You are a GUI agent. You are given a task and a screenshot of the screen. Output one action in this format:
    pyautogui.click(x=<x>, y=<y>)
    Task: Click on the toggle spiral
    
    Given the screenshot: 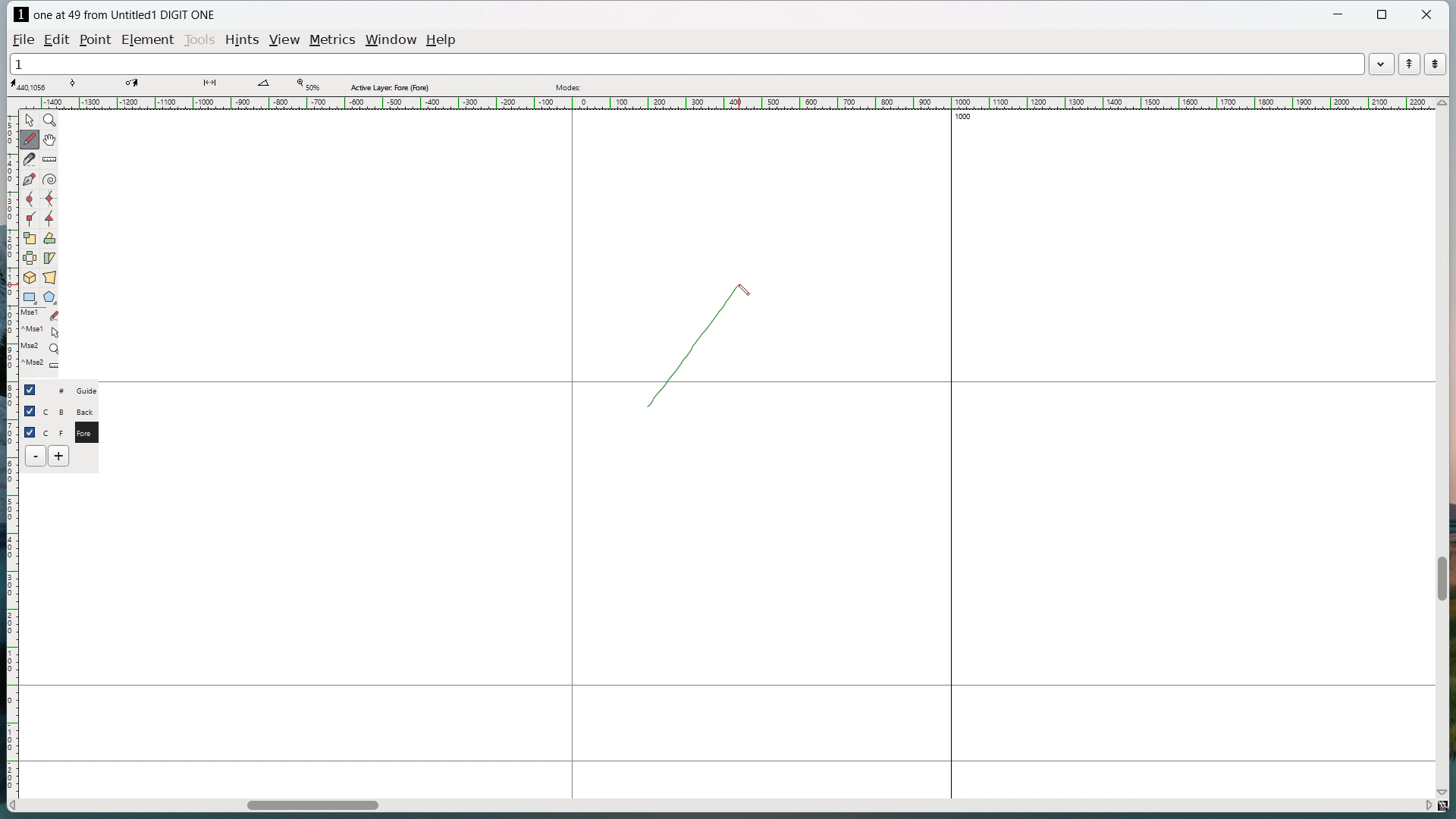 What is the action you would take?
    pyautogui.click(x=50, y=180)
    